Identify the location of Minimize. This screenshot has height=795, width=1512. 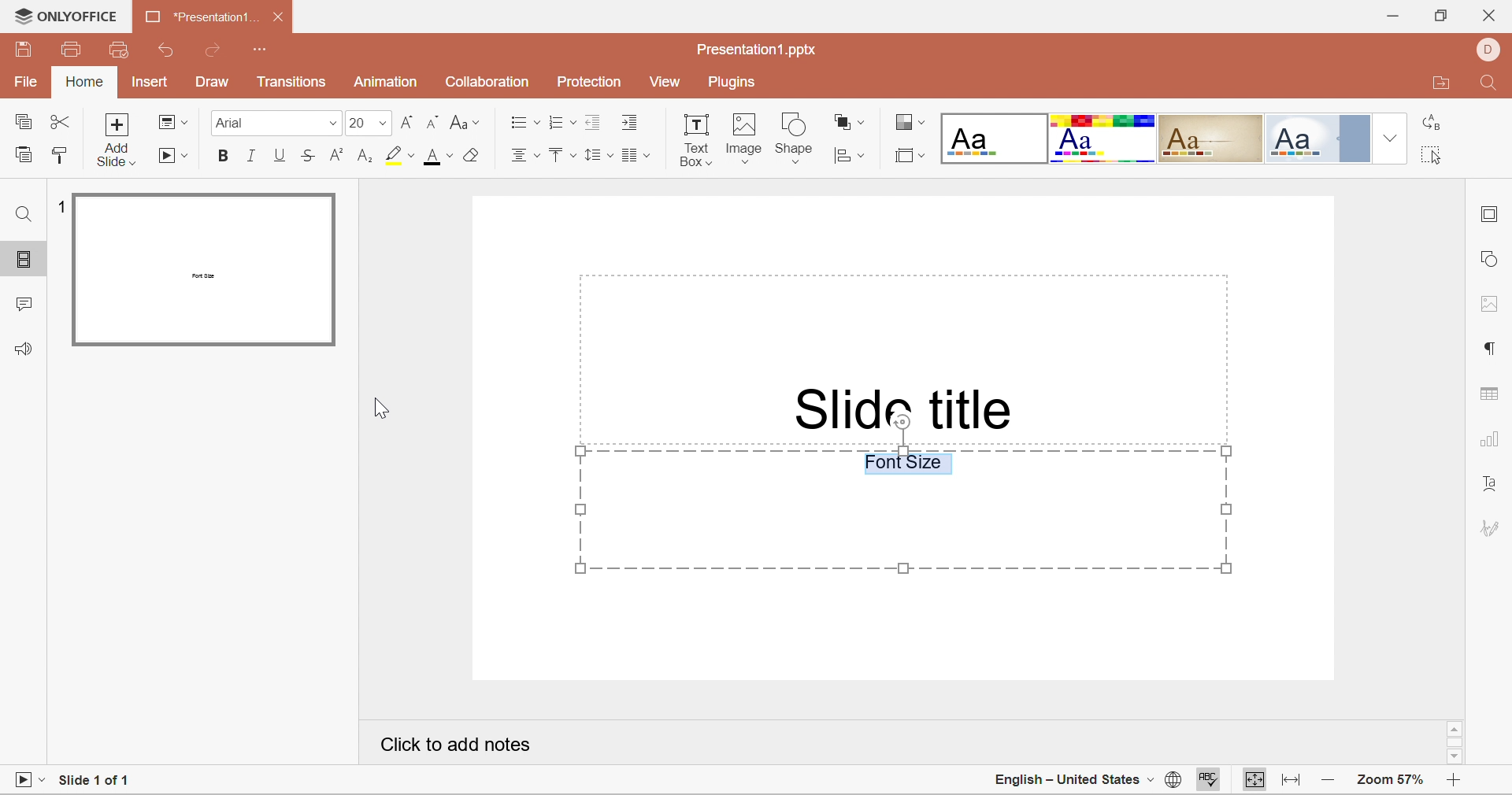
(1392, 15).